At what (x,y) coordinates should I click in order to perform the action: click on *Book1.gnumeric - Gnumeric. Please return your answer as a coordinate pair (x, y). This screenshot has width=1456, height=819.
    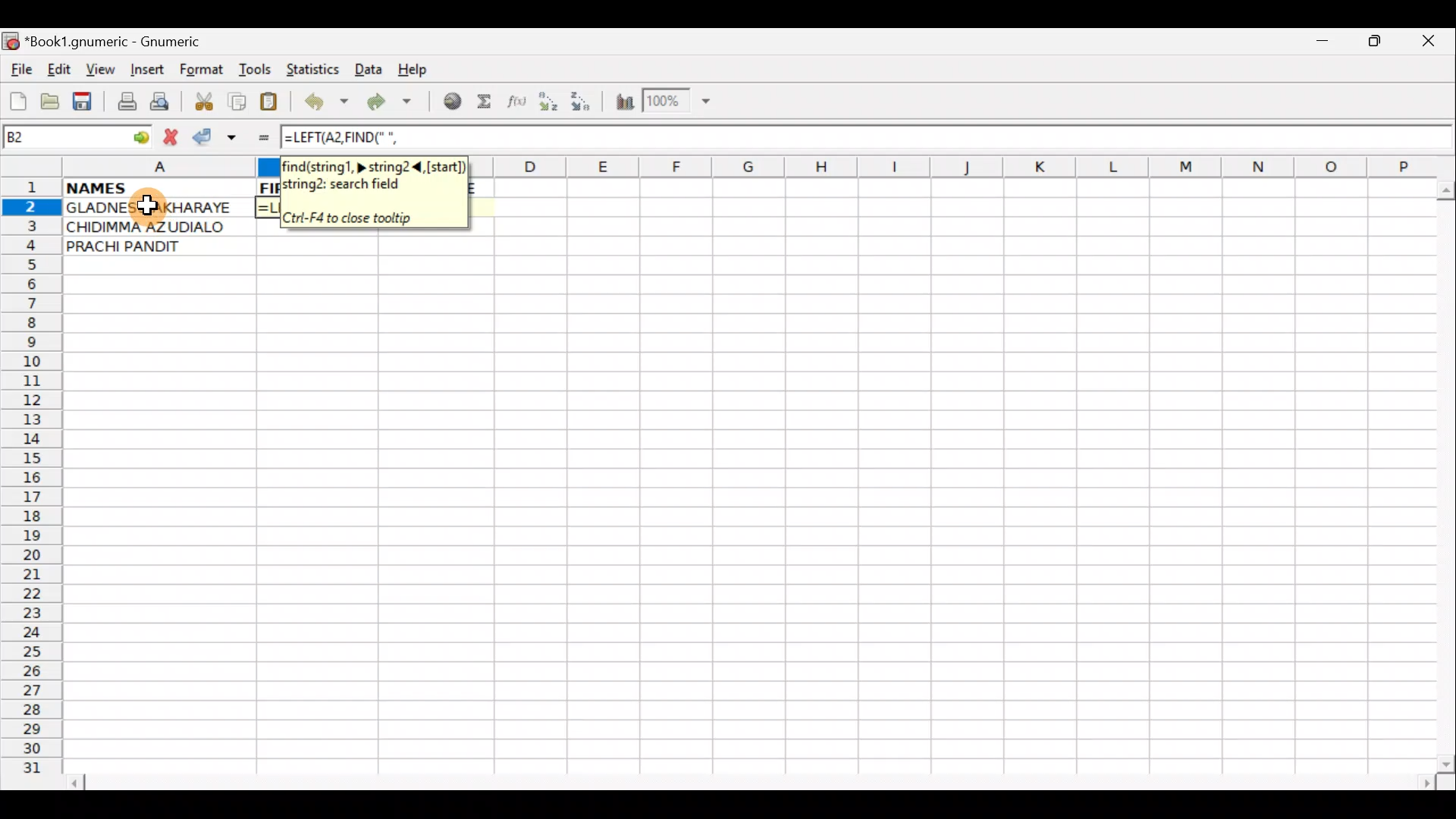
    Looking at the image, I should click on (127, 42).